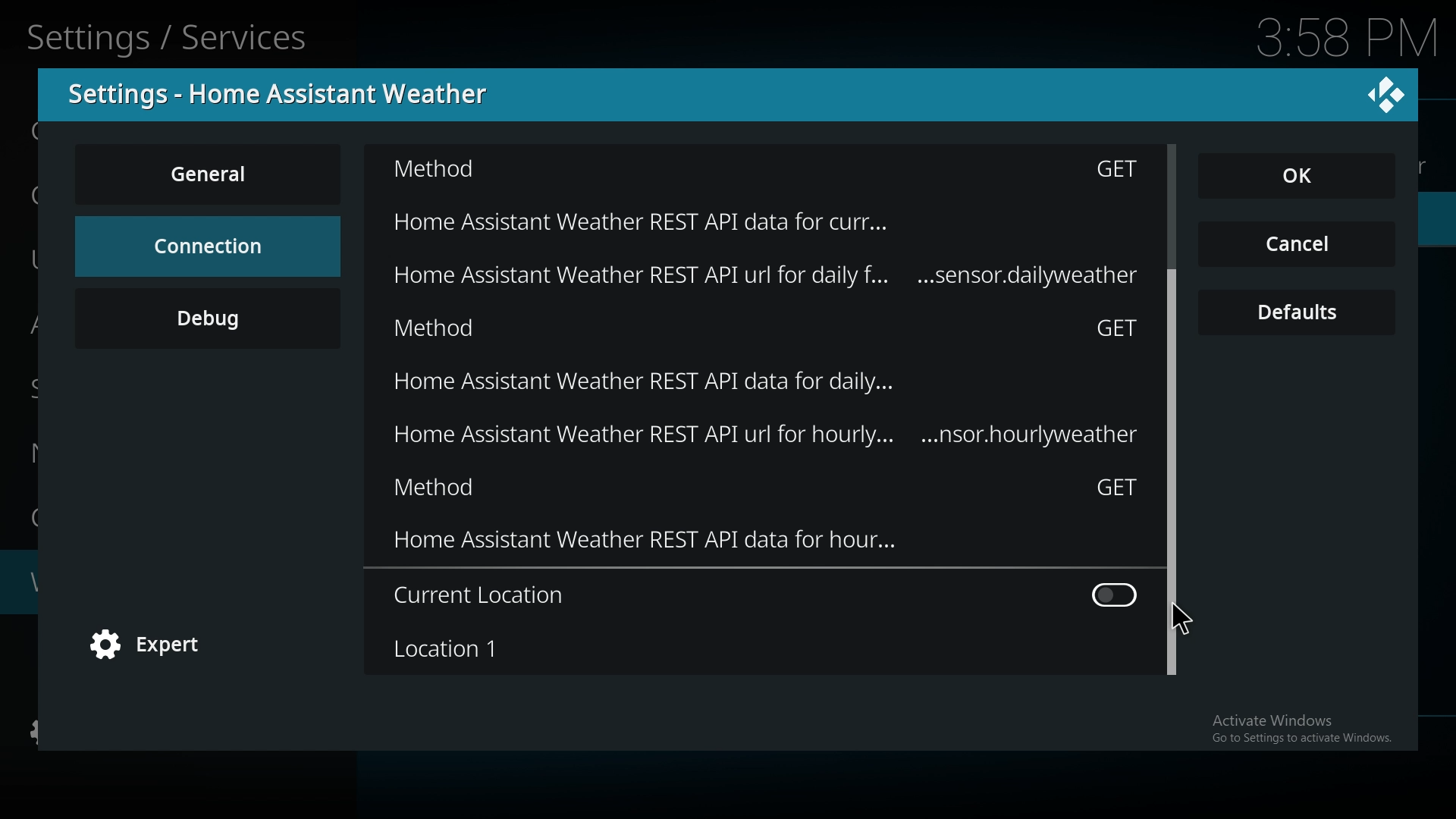 This screenshot has height=819, width=1456. I want to click on Time, so click(1348, 35).